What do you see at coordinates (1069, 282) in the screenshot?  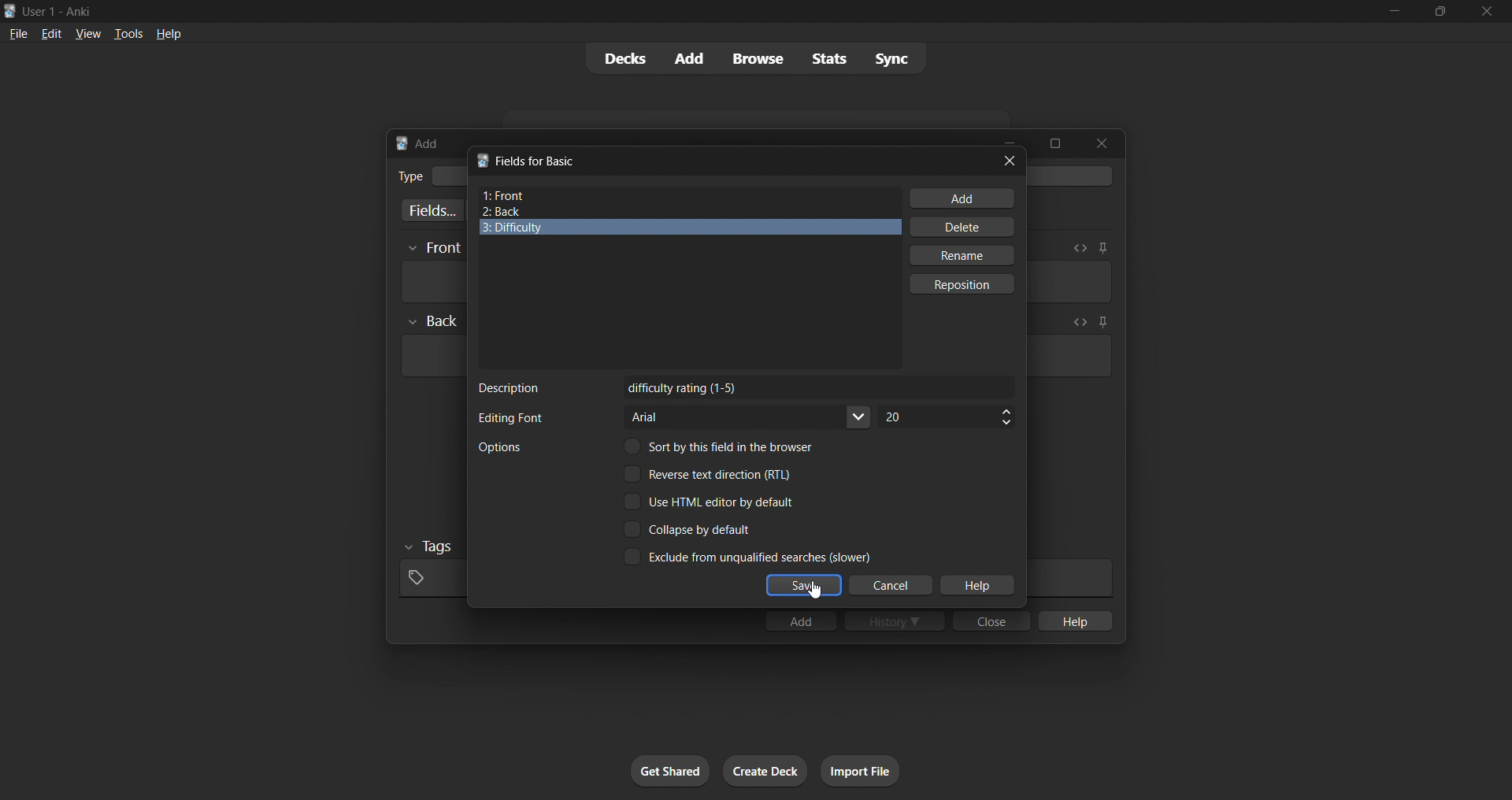 I see `Card front input` at bounding box center [1069, 282].